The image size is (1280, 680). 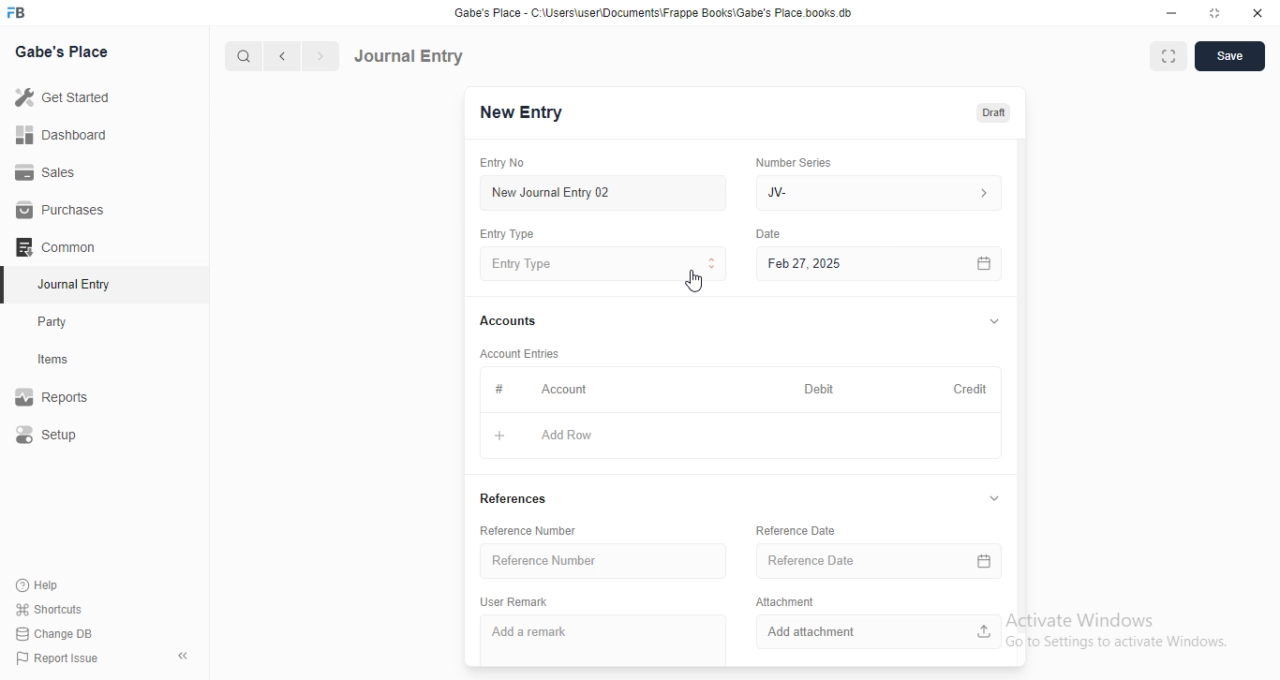 I want to click on Setup, so click(x=49, y=434).